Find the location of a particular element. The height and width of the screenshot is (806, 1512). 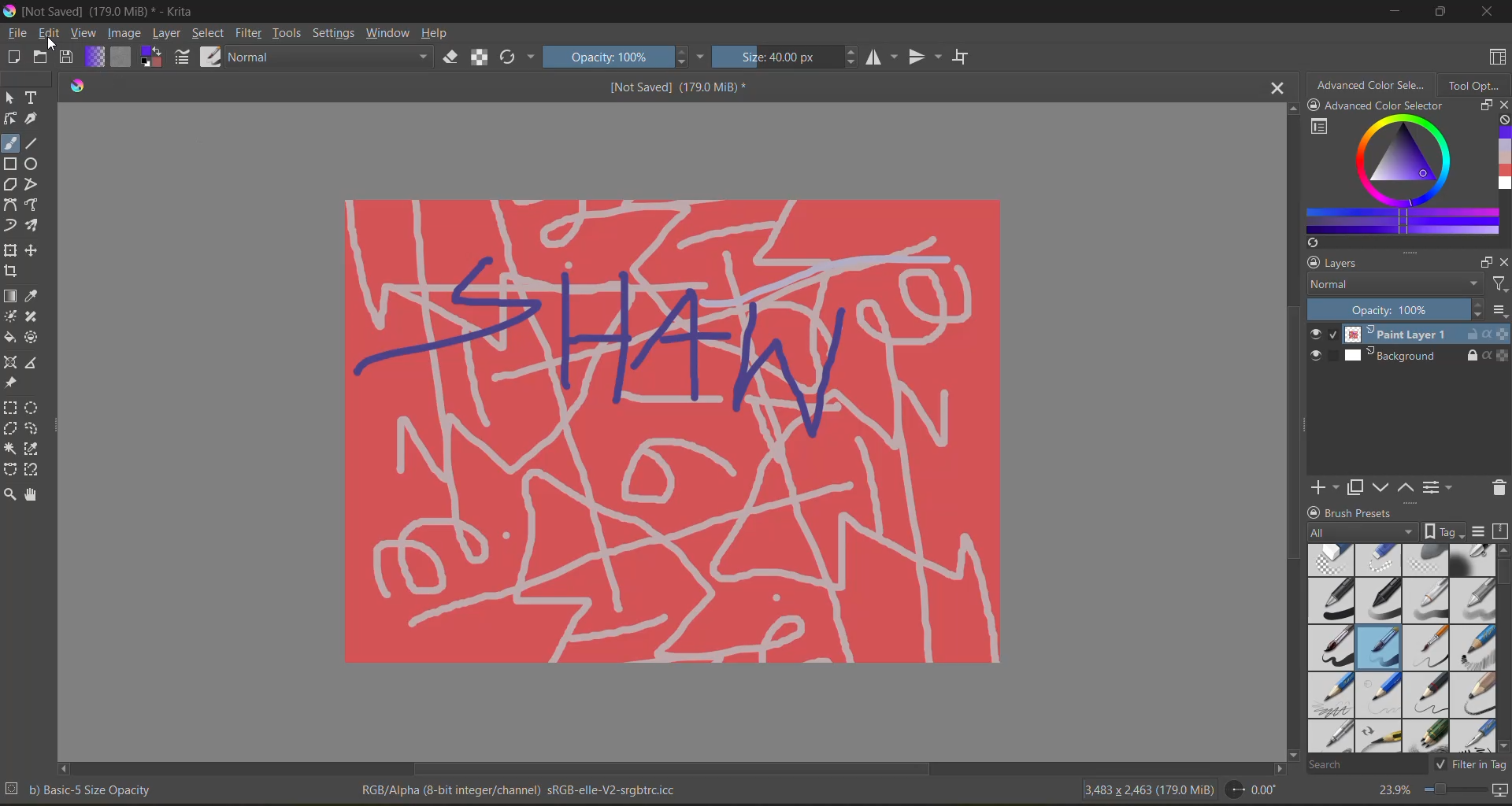

scroll left is located at coordinates (65, 765).